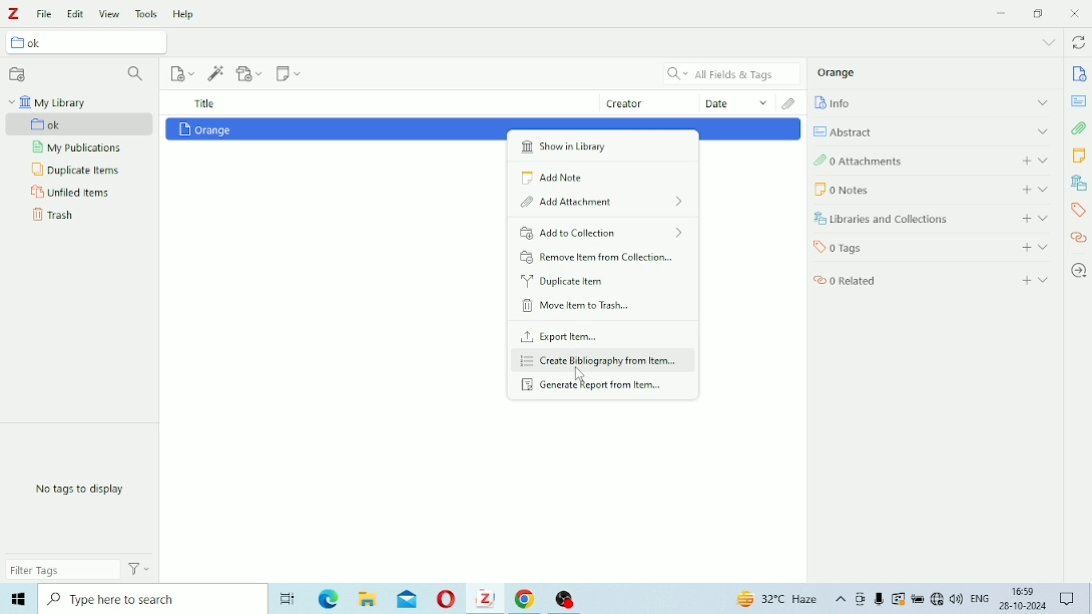 The height and width of the screenshot is (614, 1092). Describe the element at coordinates (934, 189) in the screenshot. I see `Notes` at that location.